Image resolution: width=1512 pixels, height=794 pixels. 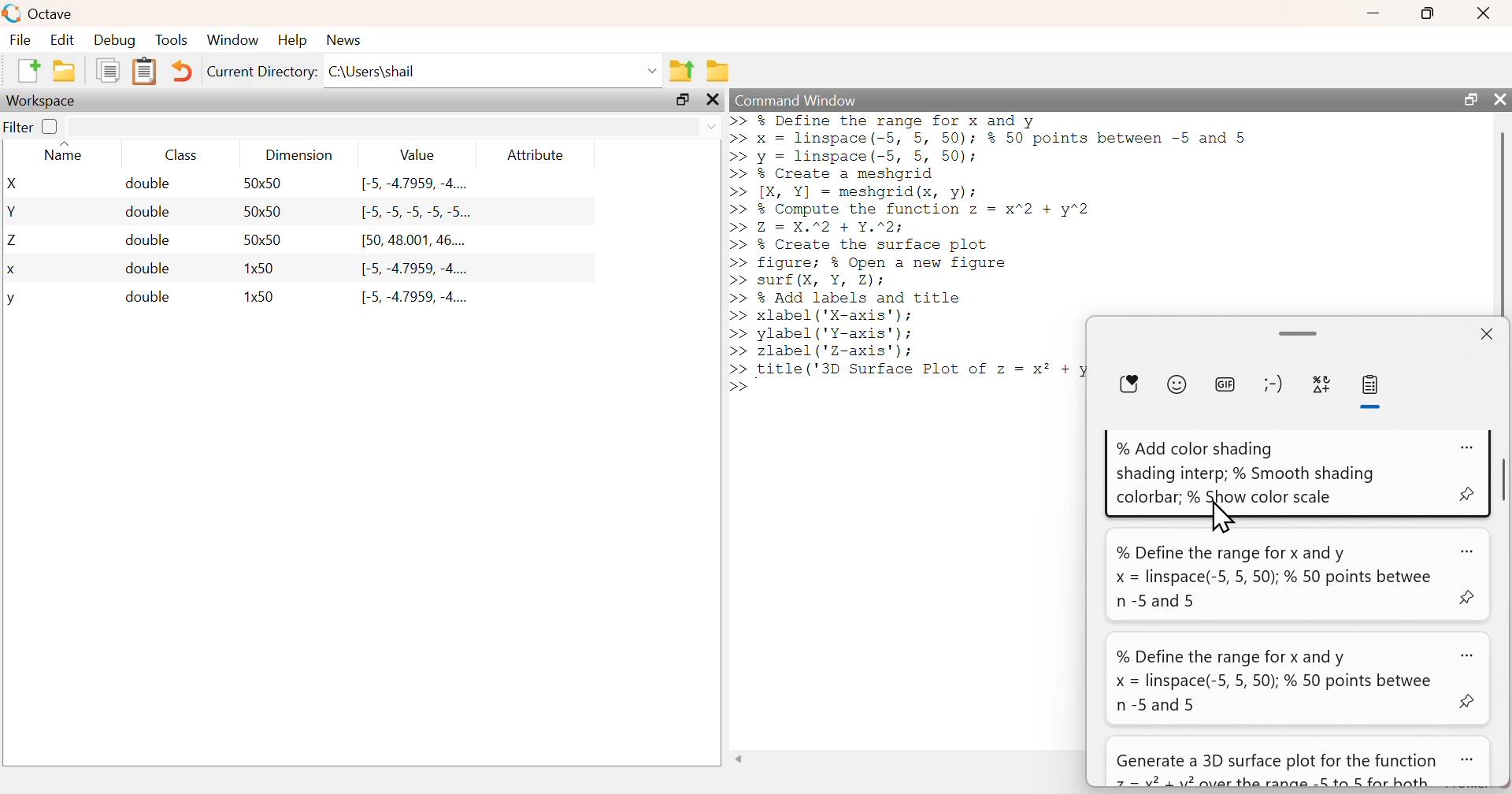 I want to click on More options, so click(x=1467, y=448).